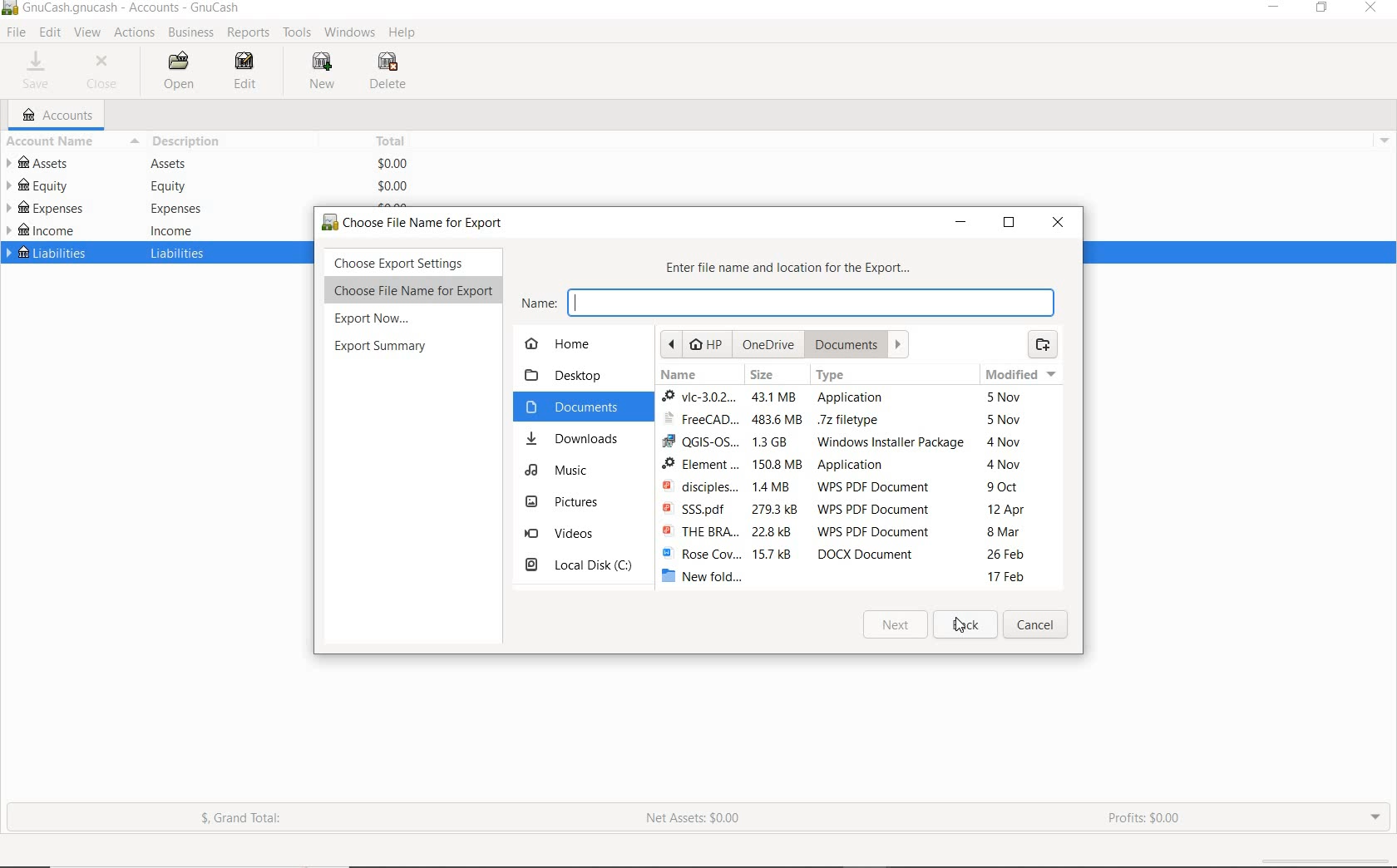  What do you see at coordinates (348, 33) in the screenshot?
I see `WINDOWS` at bounding box center [348, 33].